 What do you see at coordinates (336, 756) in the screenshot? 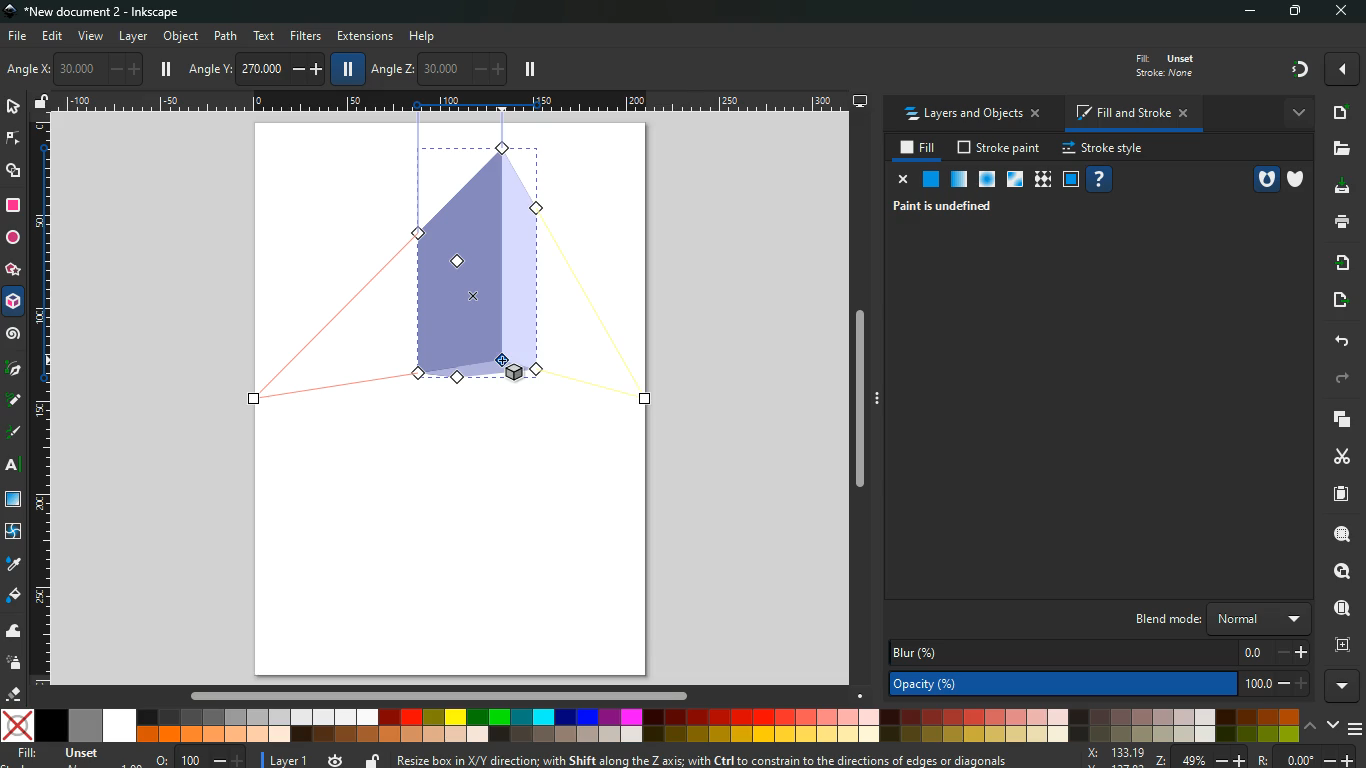
I see `time` at bounding box center [336, 756].